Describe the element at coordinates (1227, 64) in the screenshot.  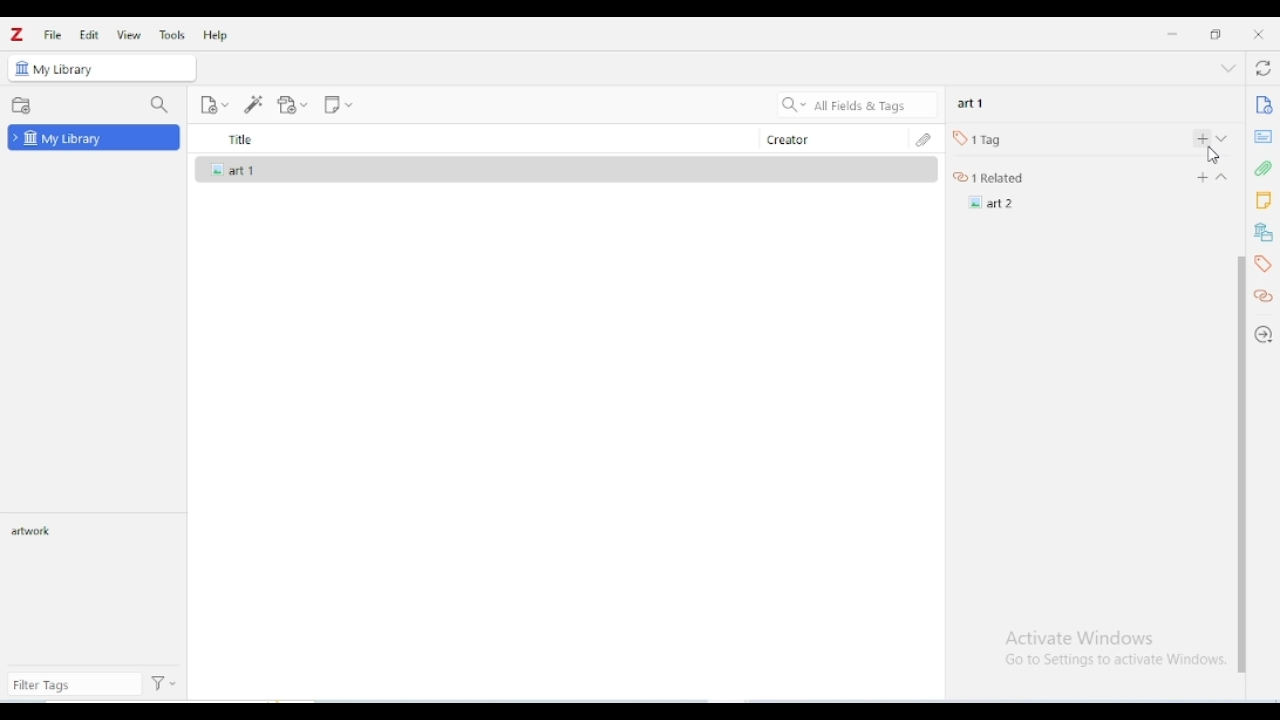
I see `collapse section` at that location.